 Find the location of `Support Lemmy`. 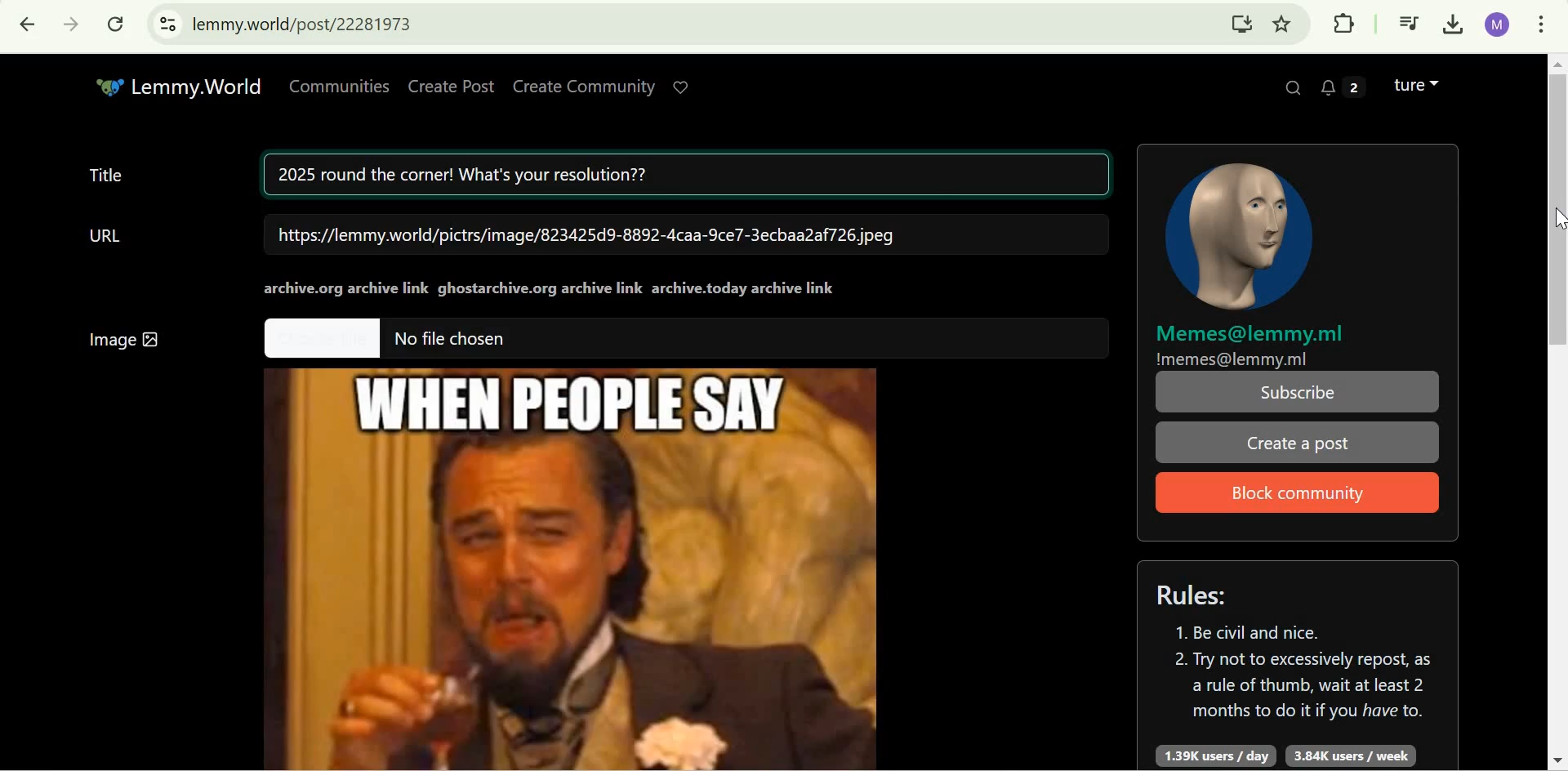

Support Lemmy is located at coordinates (683, 87).